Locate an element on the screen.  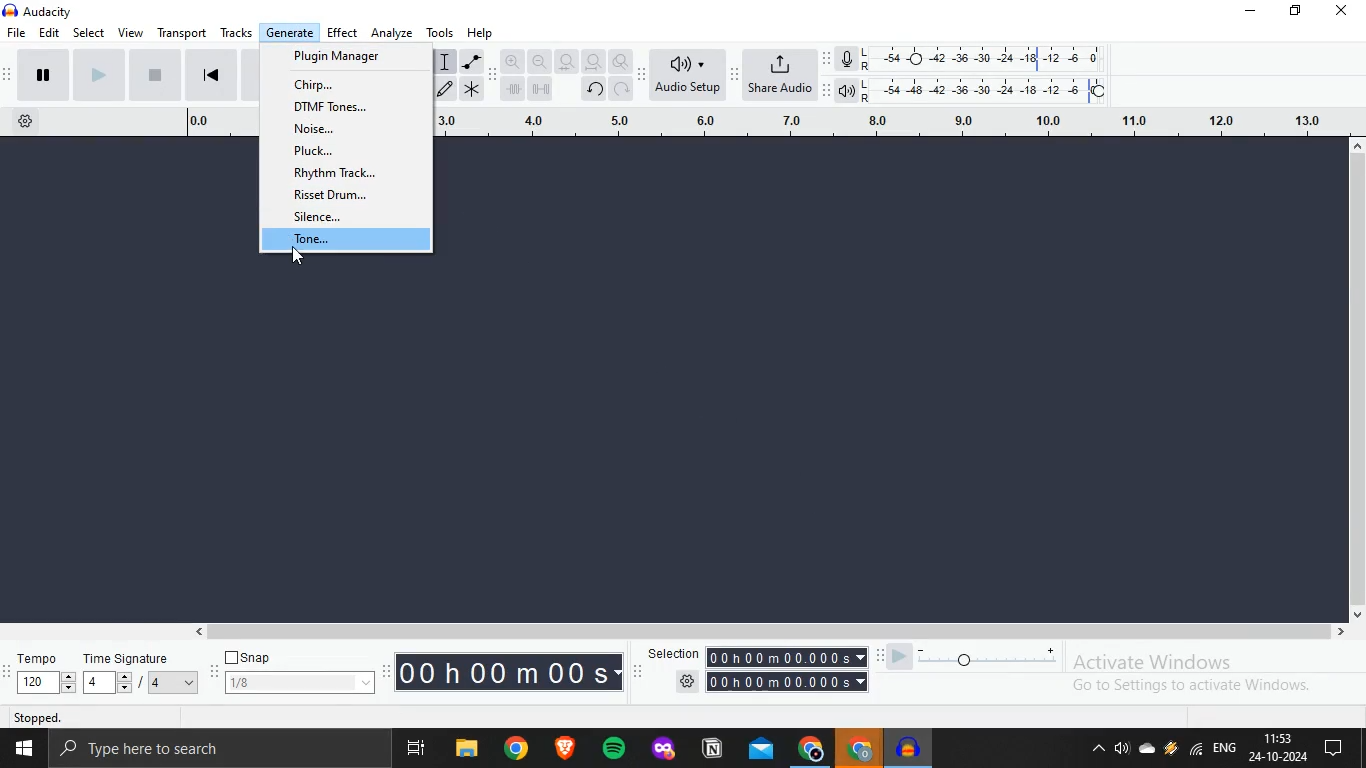
View is located at coordinates (131, 32).